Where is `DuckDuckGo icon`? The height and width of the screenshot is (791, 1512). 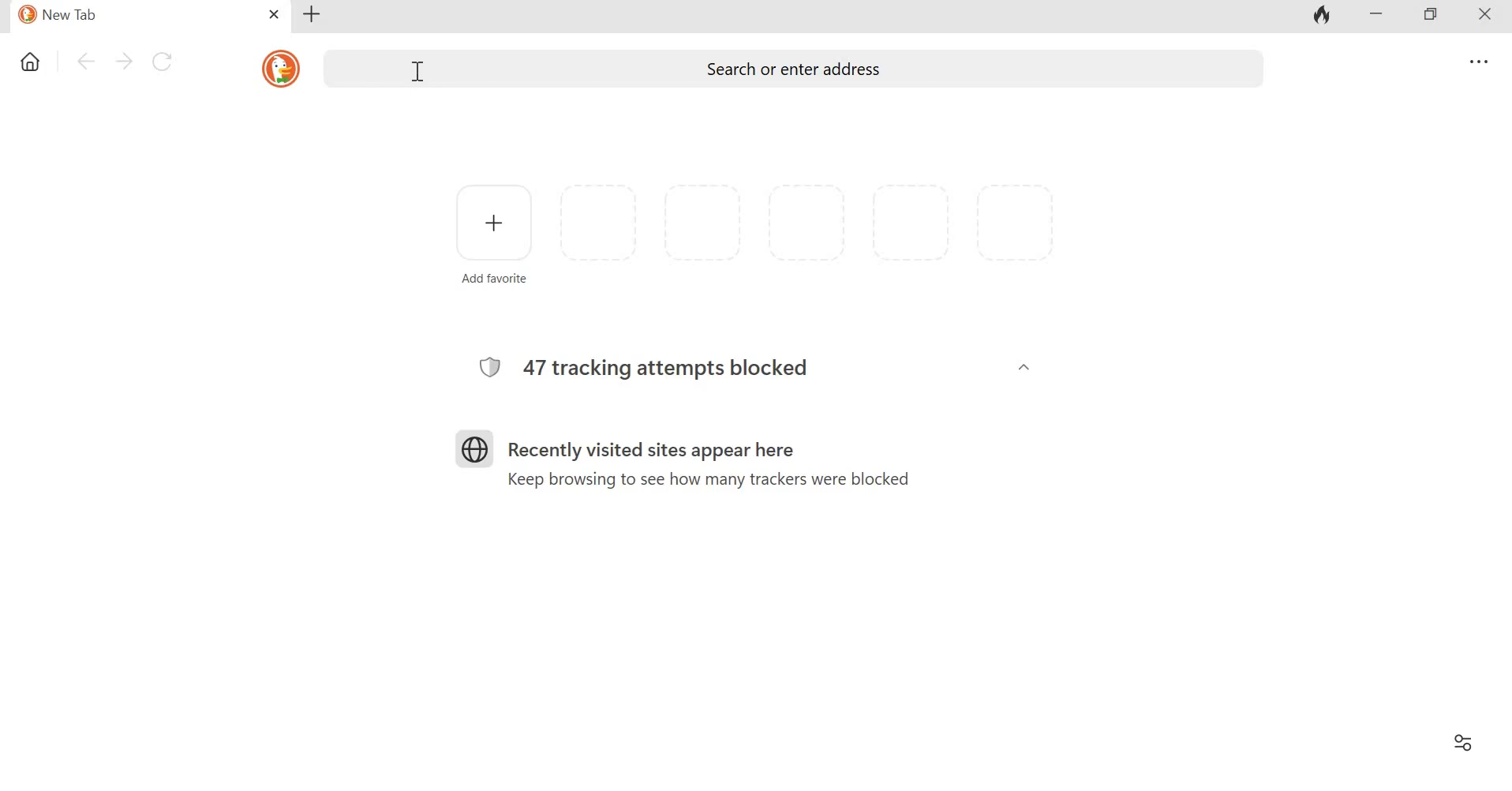 DuckDuckGo icon is located at coordinates (280, 69).